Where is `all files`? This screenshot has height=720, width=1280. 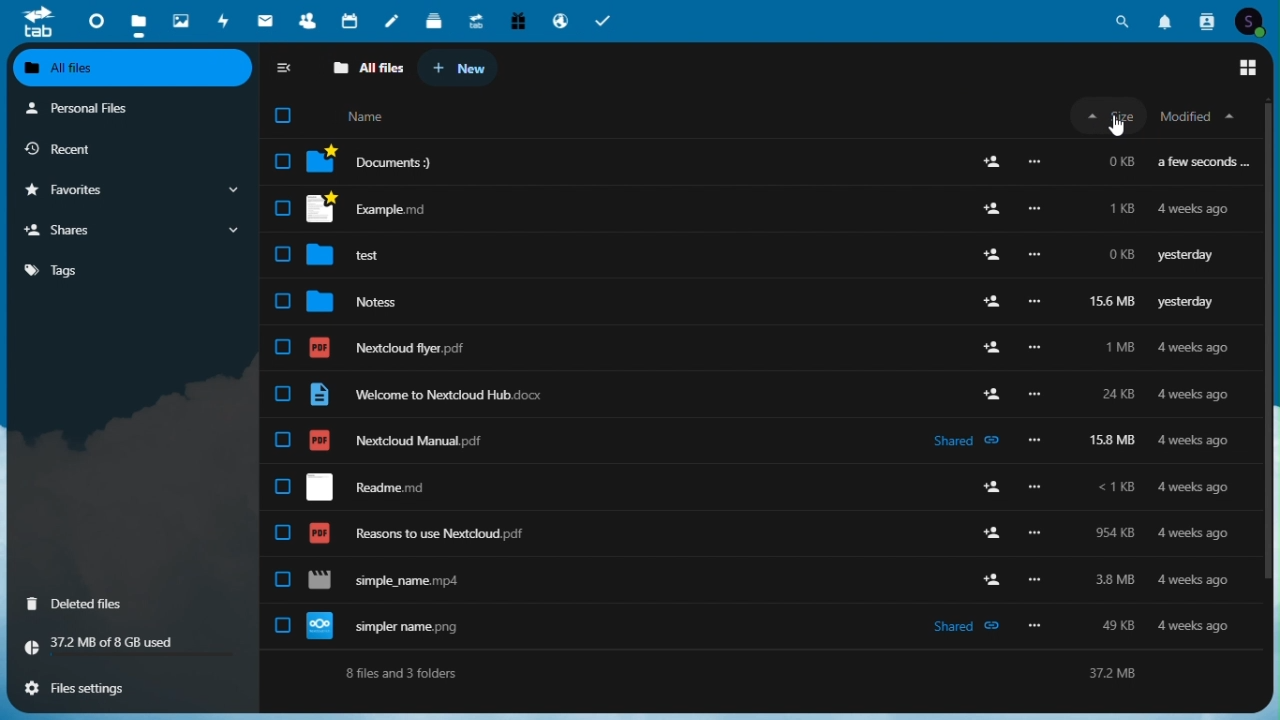
all files is located at coordinates (135, 68).